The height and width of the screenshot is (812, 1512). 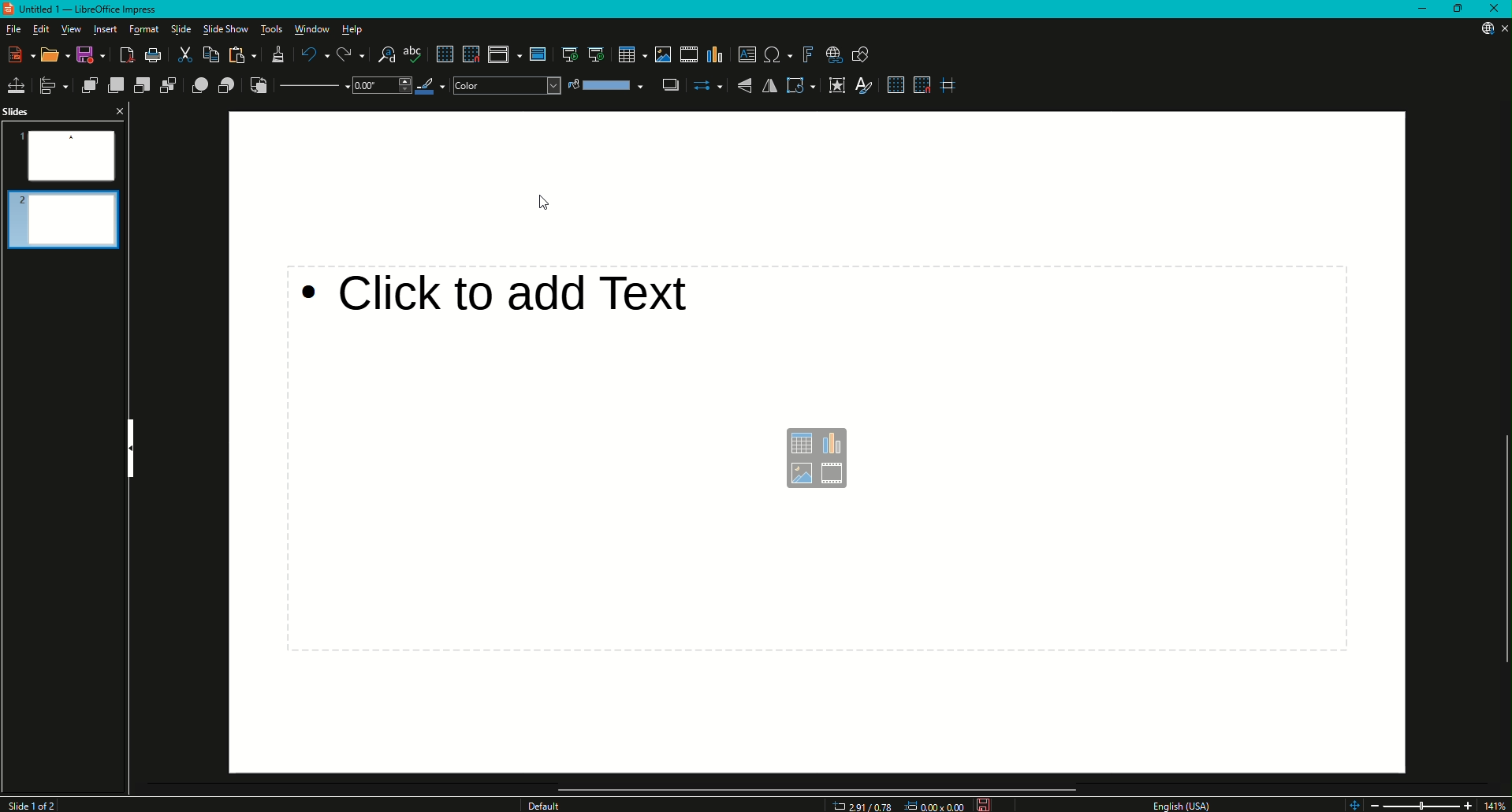 What do you see at coordinates (87, 85) in the screenshot?
I see `Bring to Front` at bounding box center [87, 85].